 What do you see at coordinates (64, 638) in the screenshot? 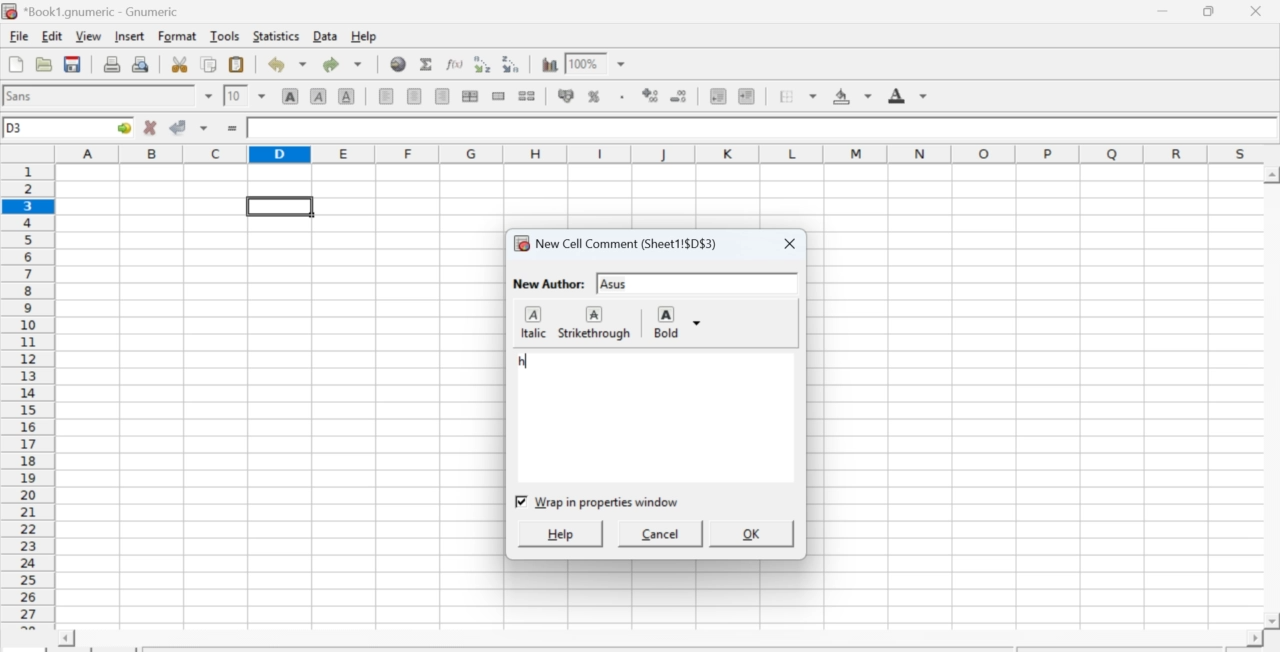
I see `scroll left` at bounding box center [64, 638].